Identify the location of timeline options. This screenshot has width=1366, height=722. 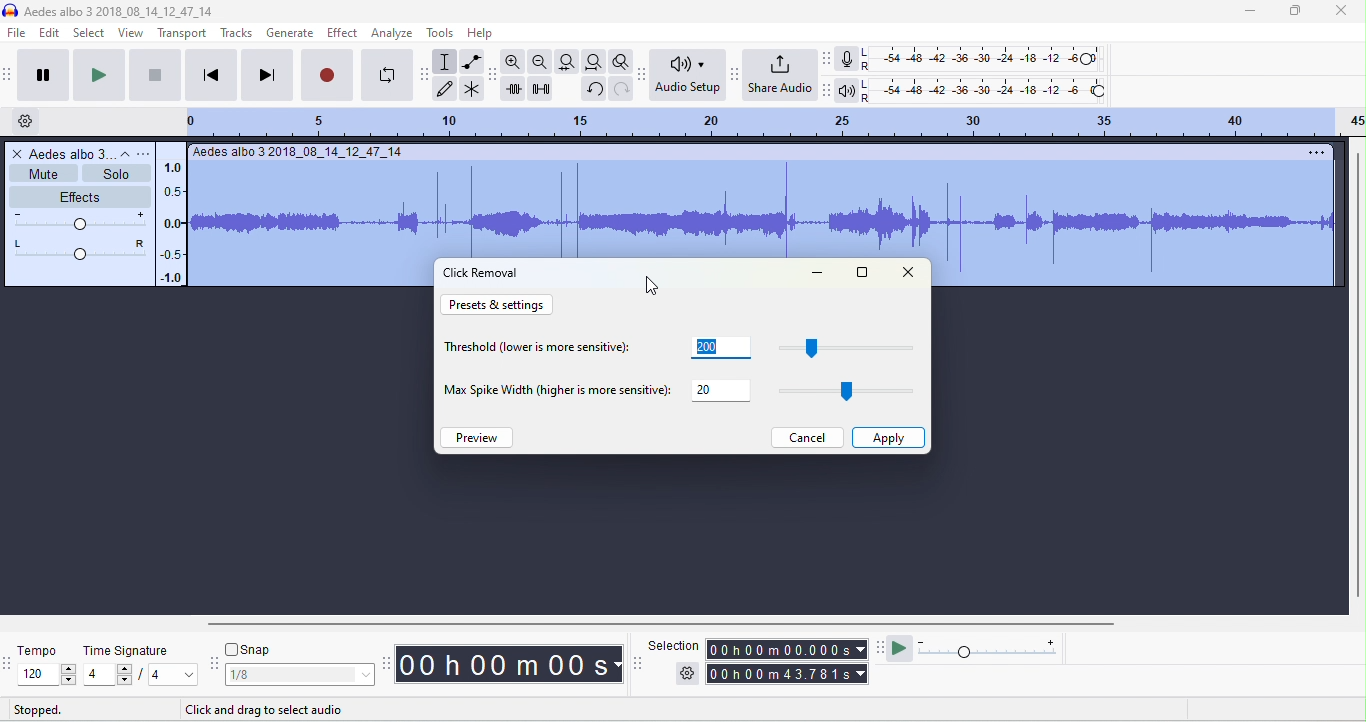
(25, 120).